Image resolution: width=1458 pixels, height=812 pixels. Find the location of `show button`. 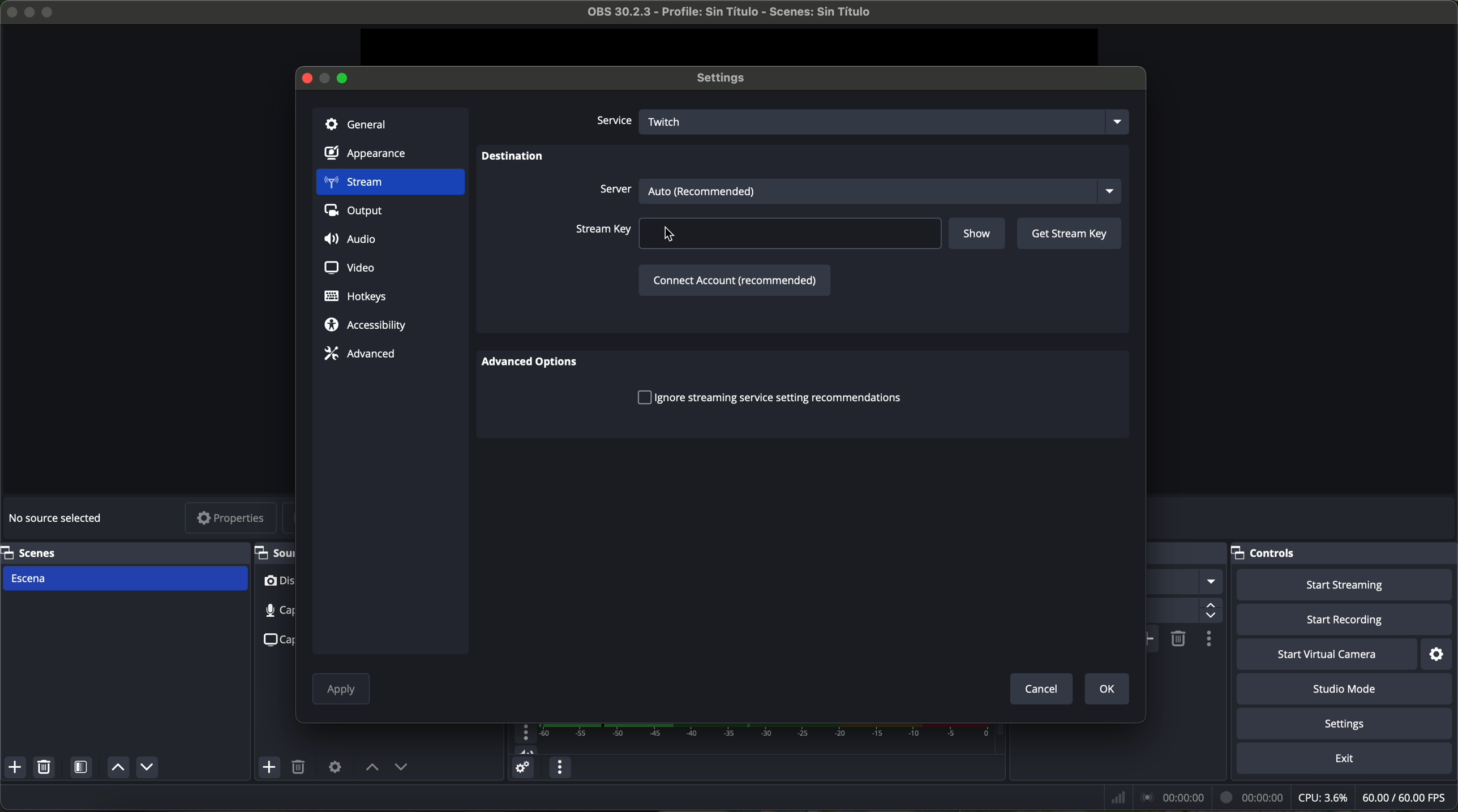

show button is located at coordinates (979, 235).